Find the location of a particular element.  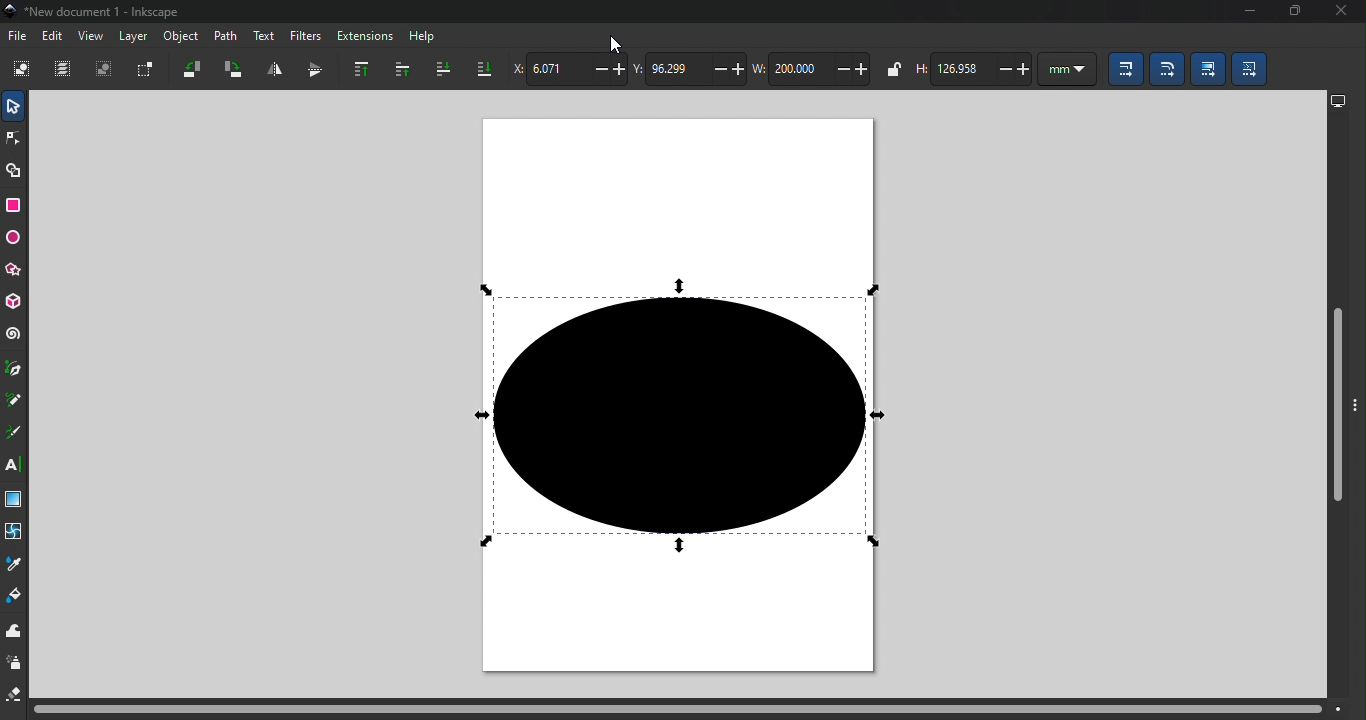

spray is located at coordinates (15, 664).